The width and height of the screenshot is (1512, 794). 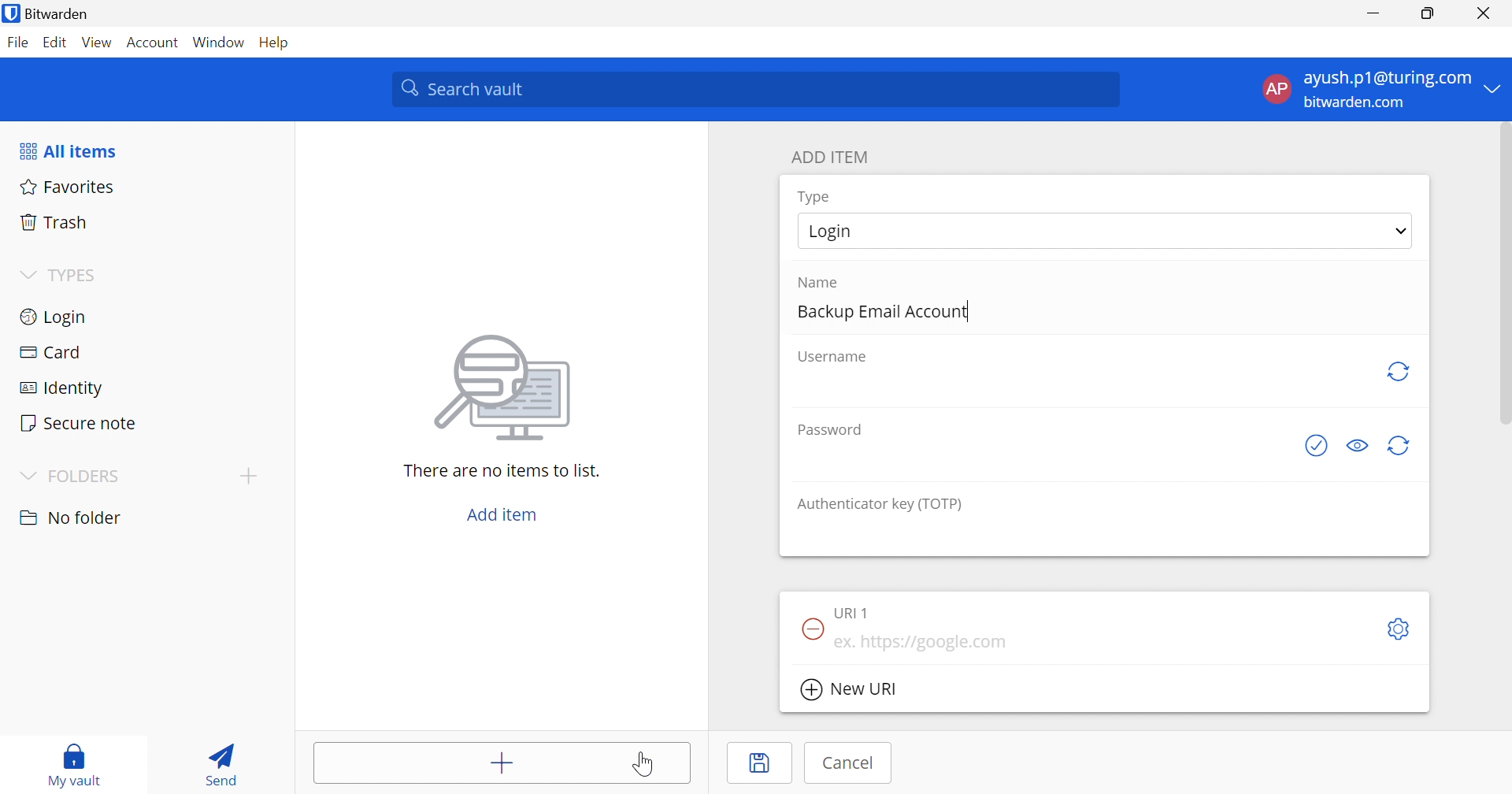 What do you see at coordinates (225, 763) in the screenshot?
I see `Send` at bounding box center [225, 763].